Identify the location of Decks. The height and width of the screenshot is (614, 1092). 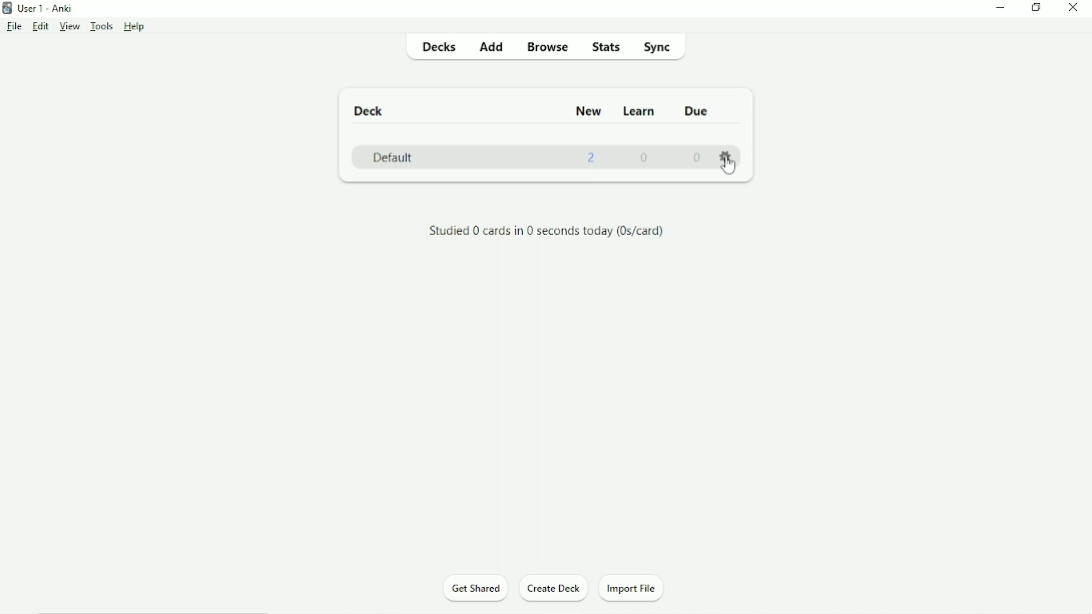
(442, 46).